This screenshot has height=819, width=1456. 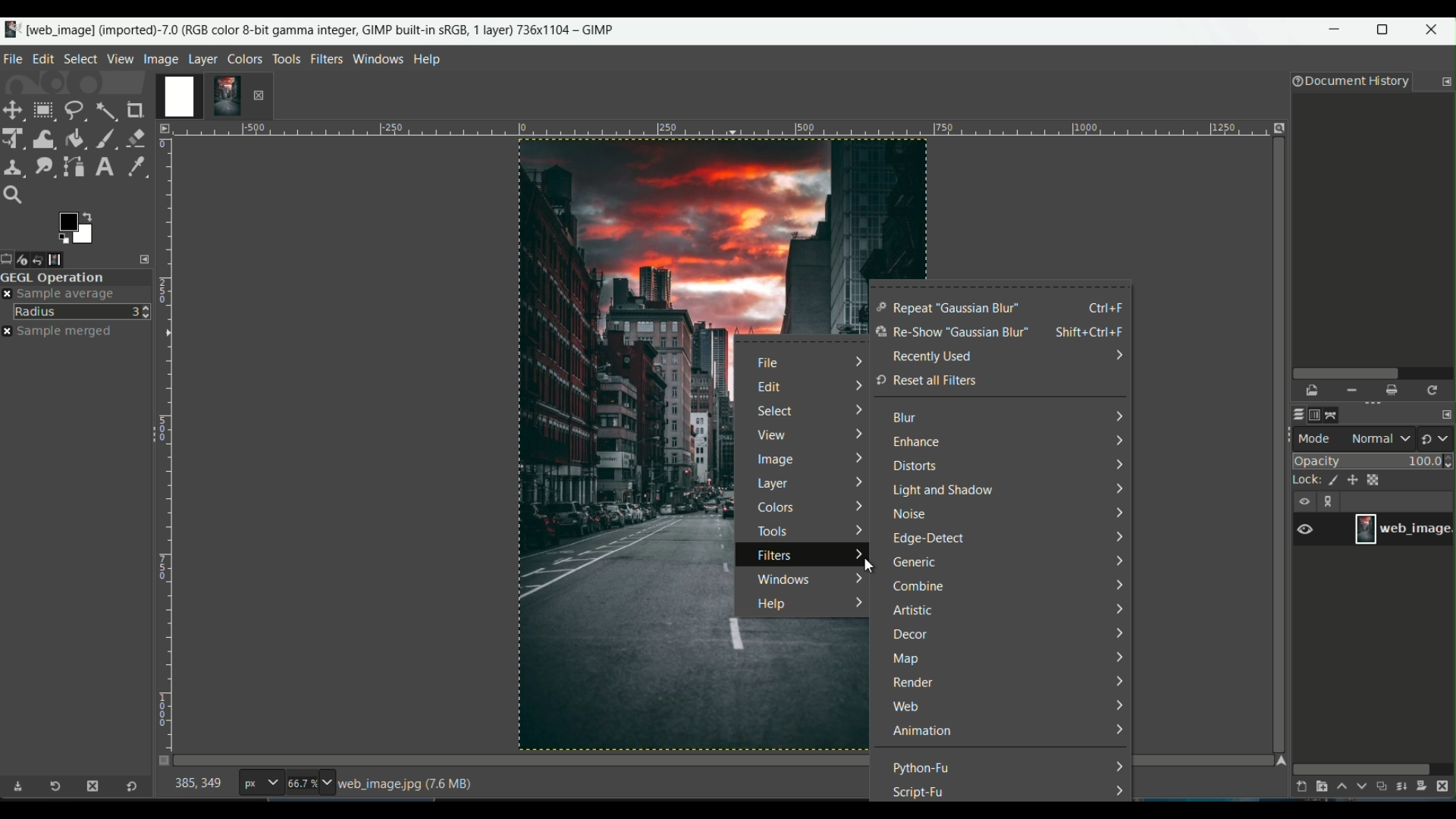 I want to click on paintbrush tool, so click(x=105, y=137).